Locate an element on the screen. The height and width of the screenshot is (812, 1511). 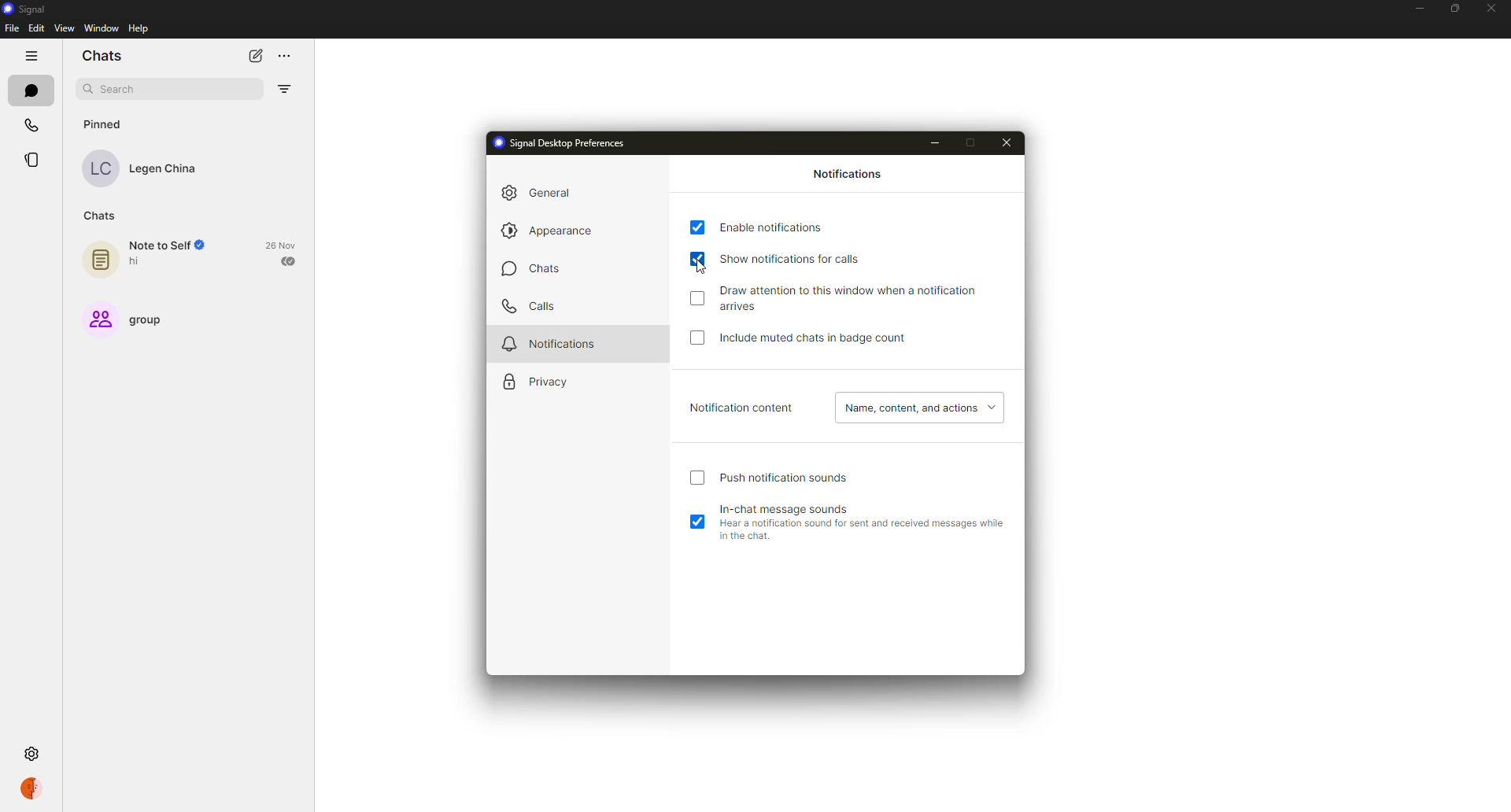
include muted chats in badge count is located at coordinates (820, 339).